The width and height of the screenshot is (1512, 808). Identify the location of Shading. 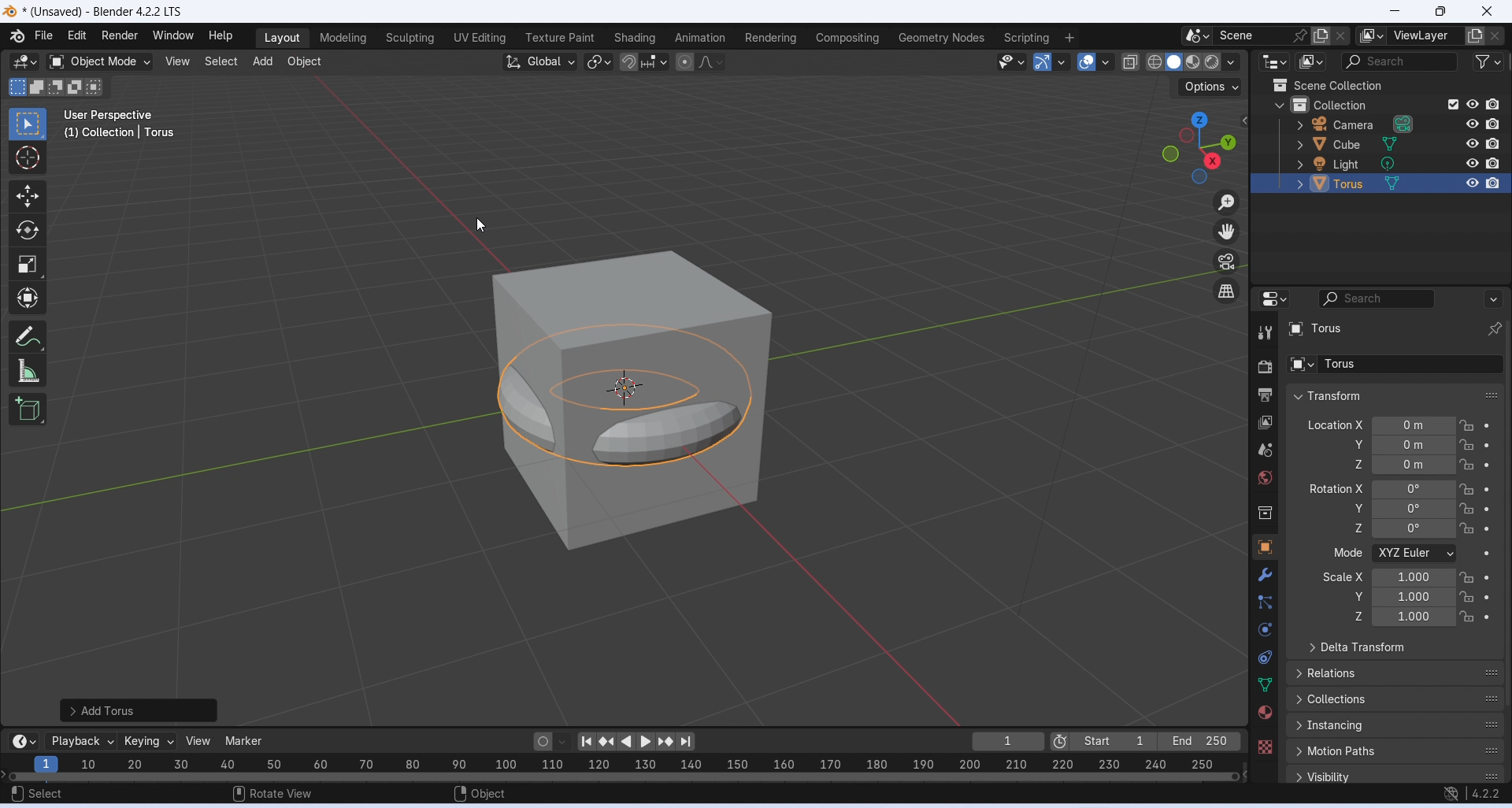
(635, 39).